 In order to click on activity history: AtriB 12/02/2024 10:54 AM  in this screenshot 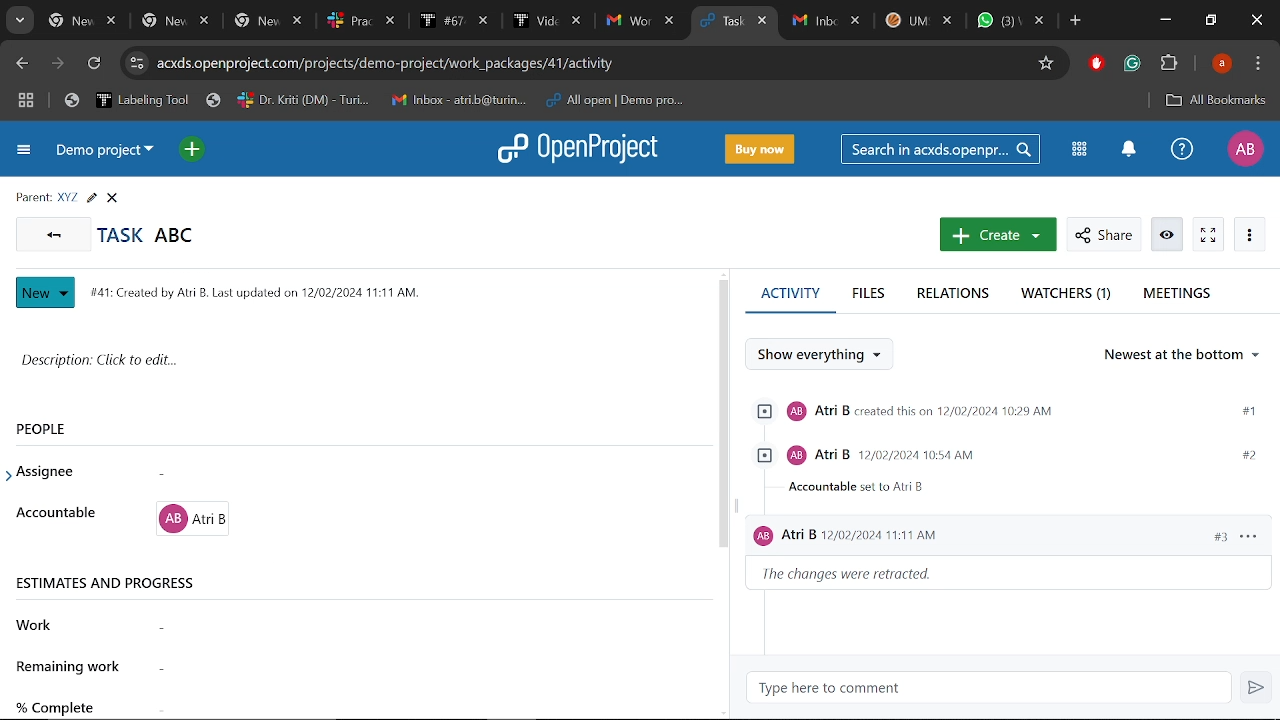, I will do `click(1003, 471)`.